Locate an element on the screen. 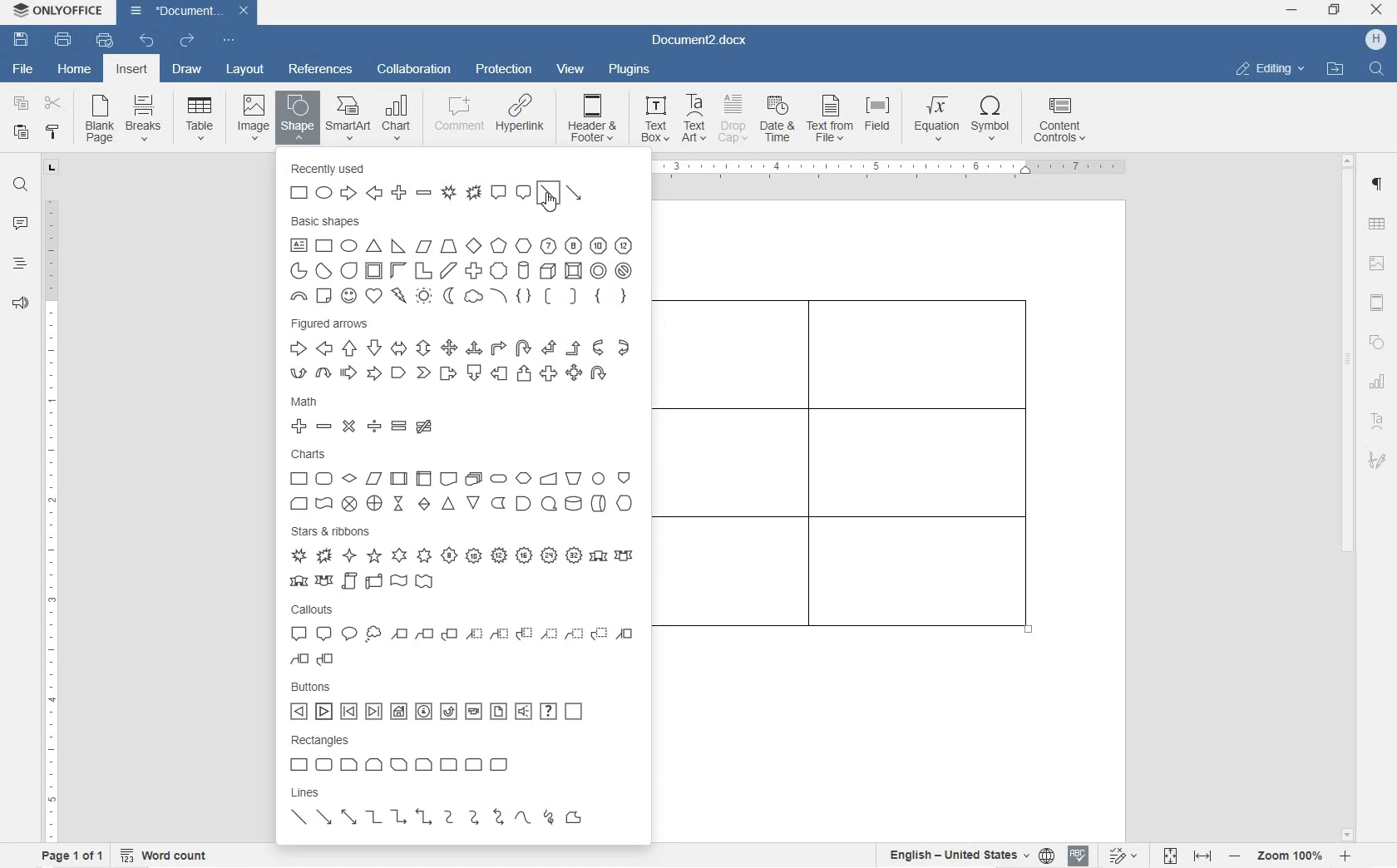 The image size is (1397, 868). collaboration is located at coordinates (414, 70).